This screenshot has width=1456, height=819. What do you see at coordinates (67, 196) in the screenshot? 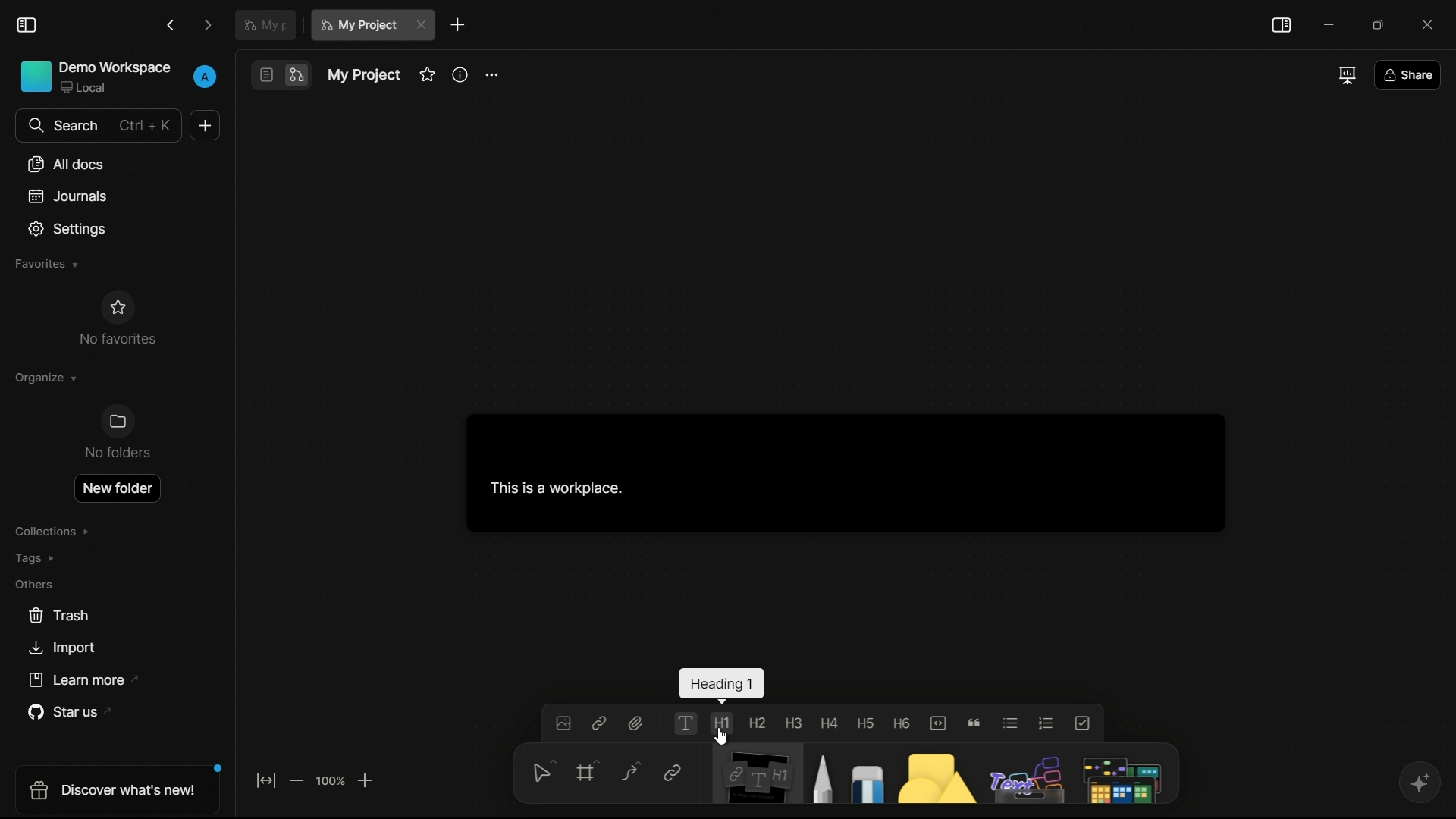
I see `journals` at bounding box center [67, 196].